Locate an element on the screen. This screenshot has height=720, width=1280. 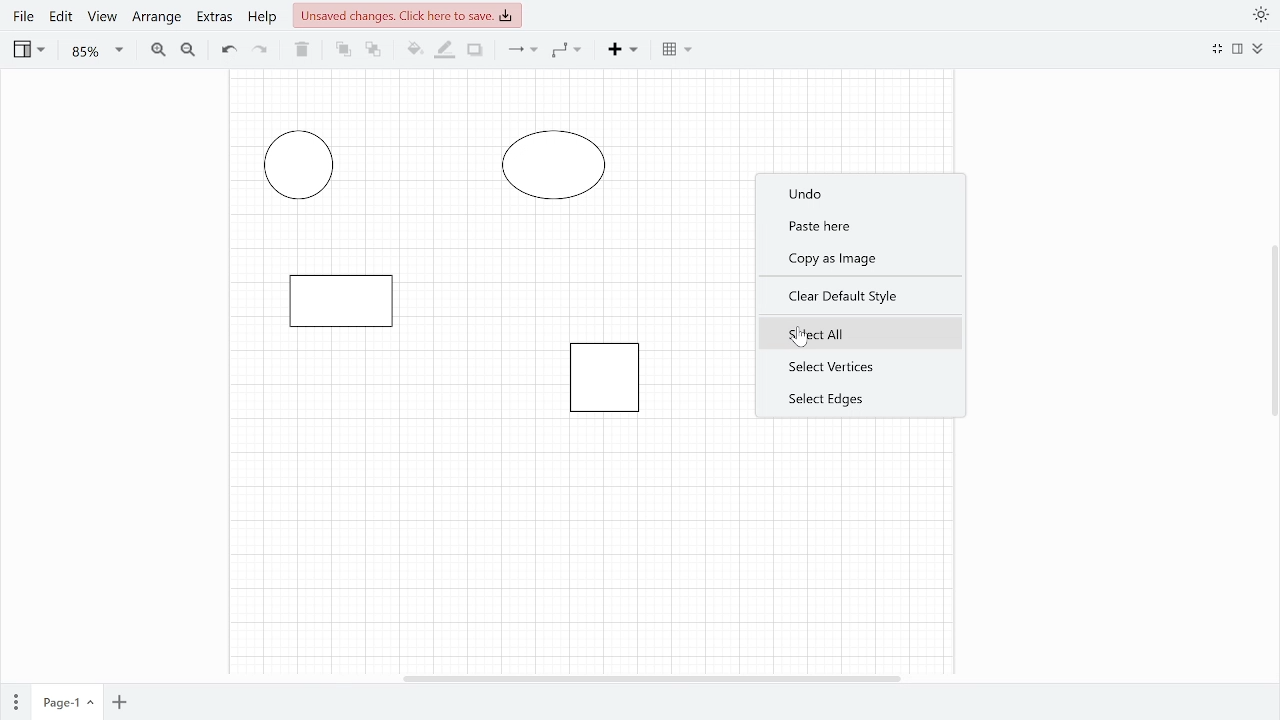
Circle is located at coordinates (551, 164).